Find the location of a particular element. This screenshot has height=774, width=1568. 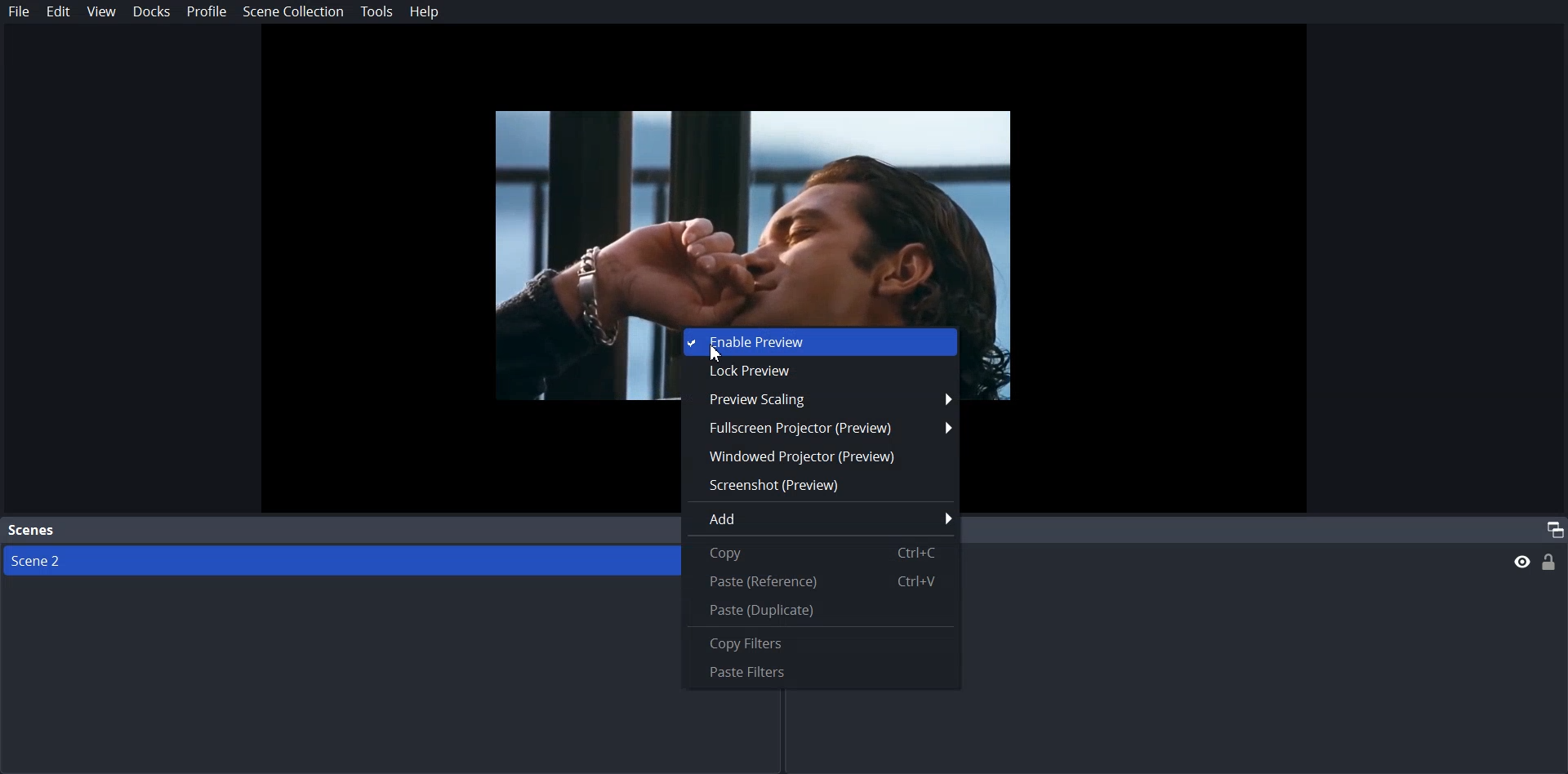

Edit is located at coordinates (57, 12).